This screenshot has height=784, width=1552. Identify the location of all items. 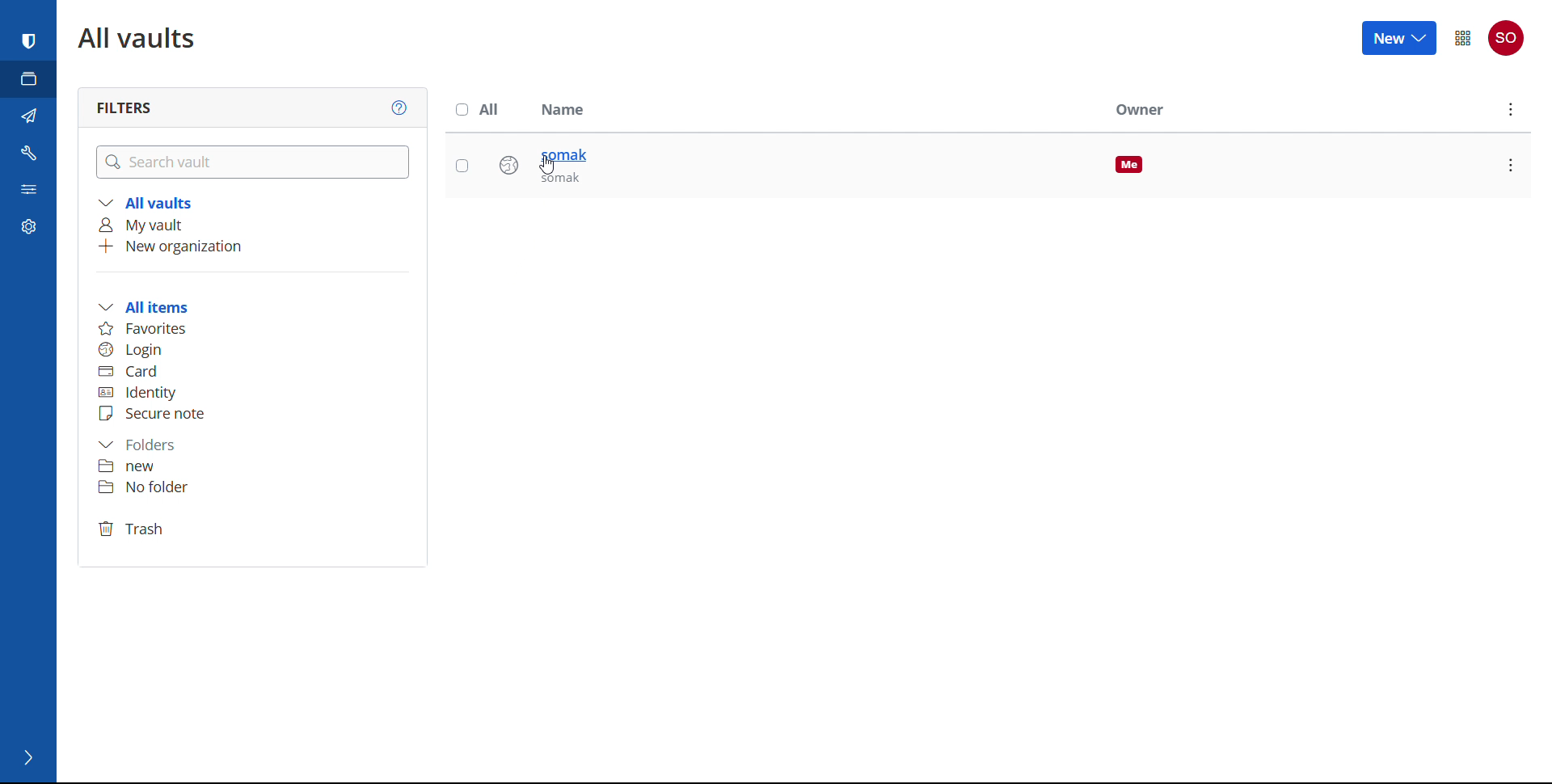
(247, 307).